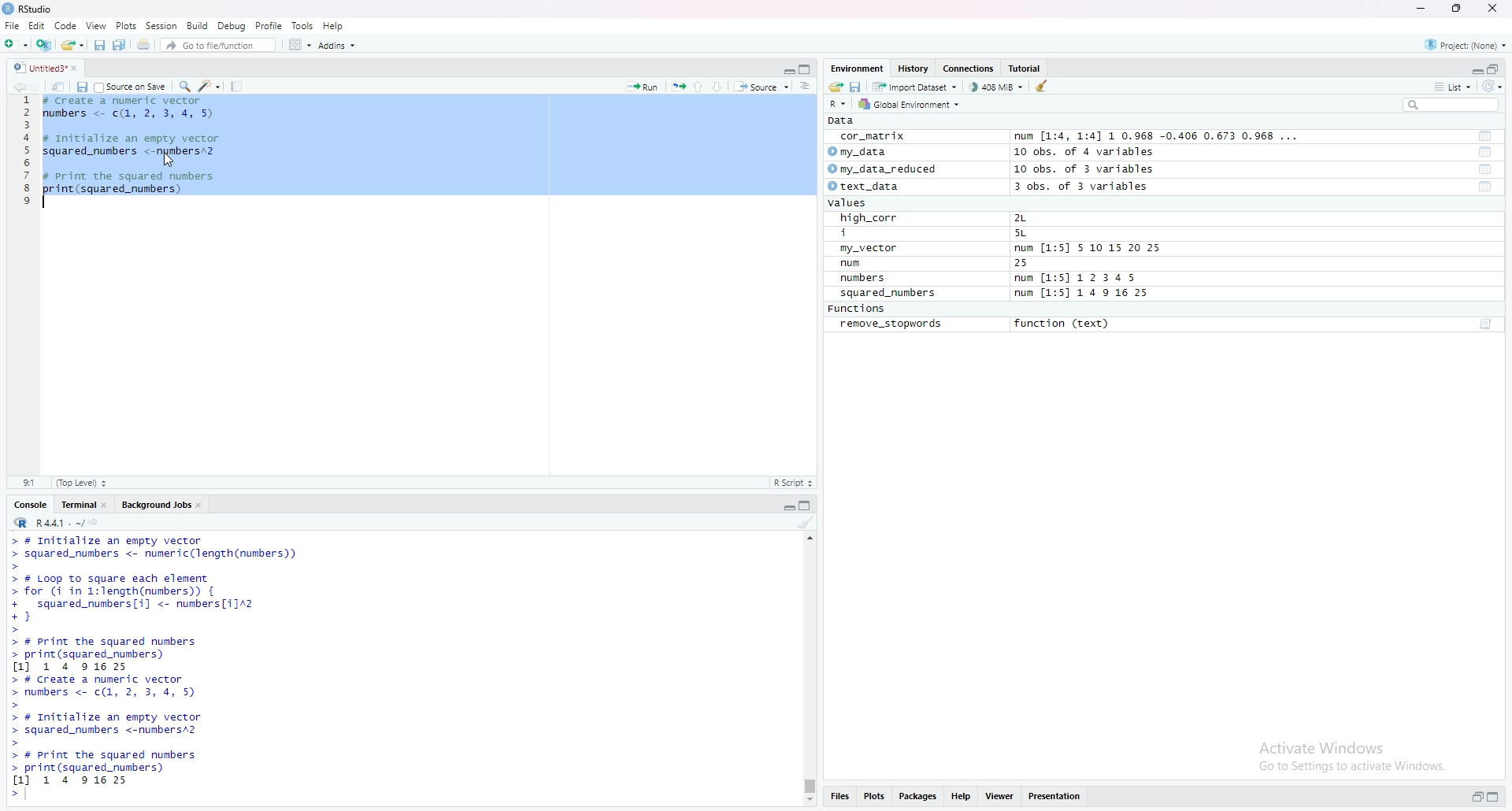 The height and width of the screenshot is (811, 1512). Describe the element at coordinates (995, 87) in the screenshot. I see `408 MiB` at that location.